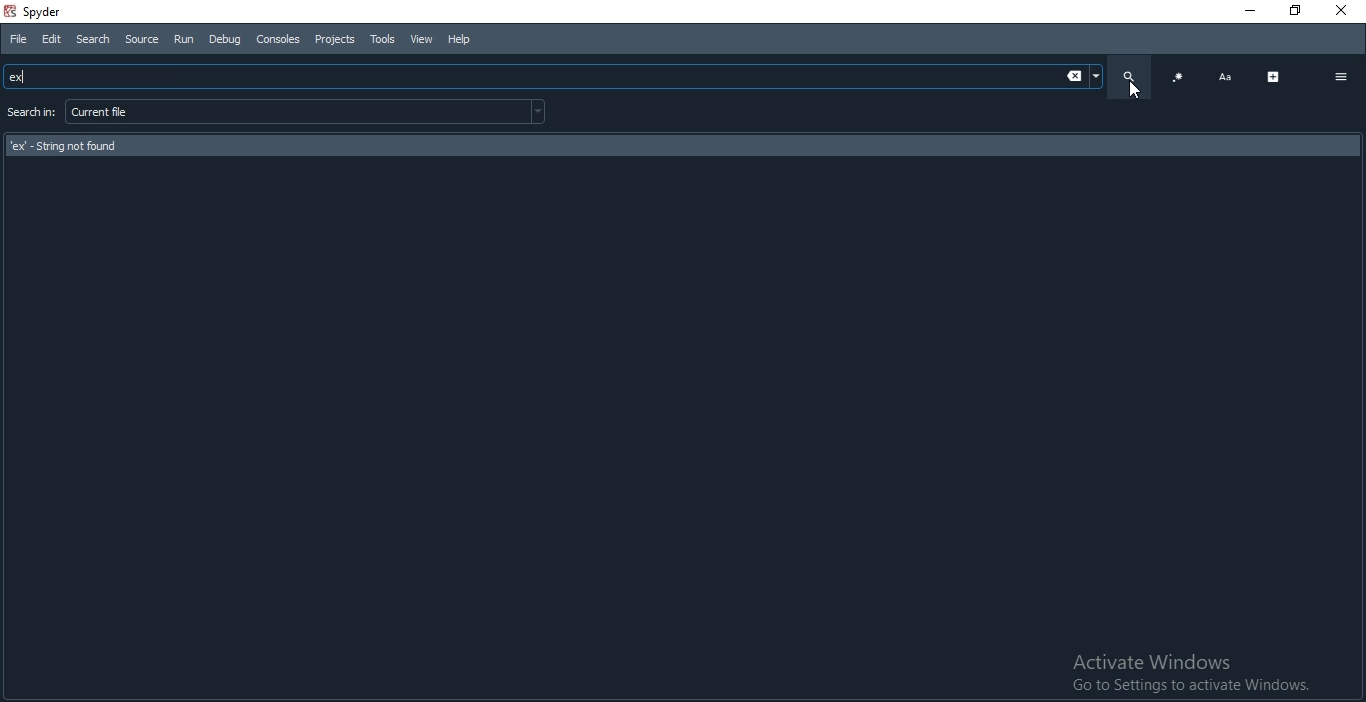 The image size is (1366, 702). I want to click on code blocks, so click(1178, 77).